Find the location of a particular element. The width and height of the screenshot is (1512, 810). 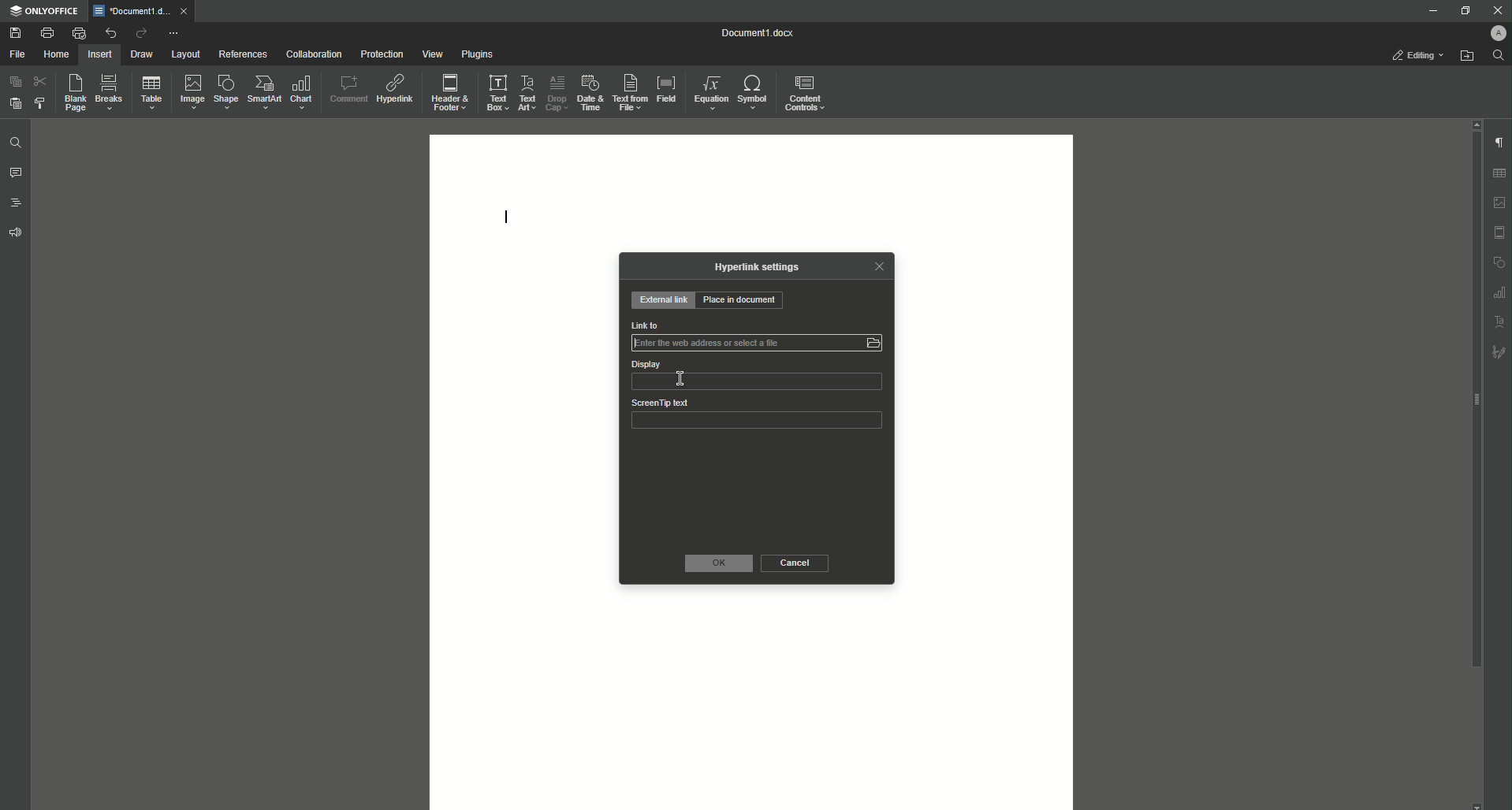

Headings is located at coordinates (16, 203).